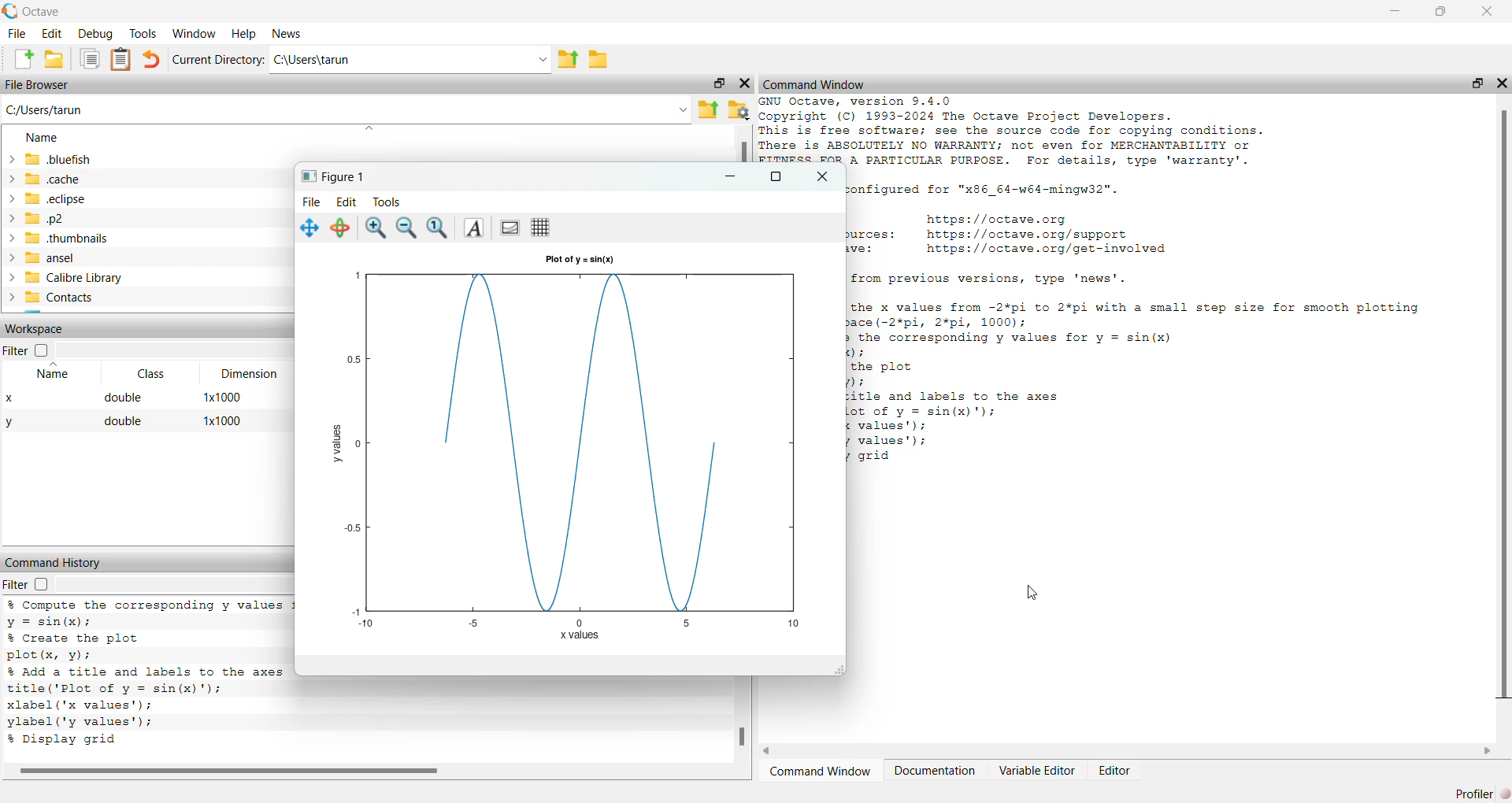  I want to click on reset zoom, so click(439, 228).